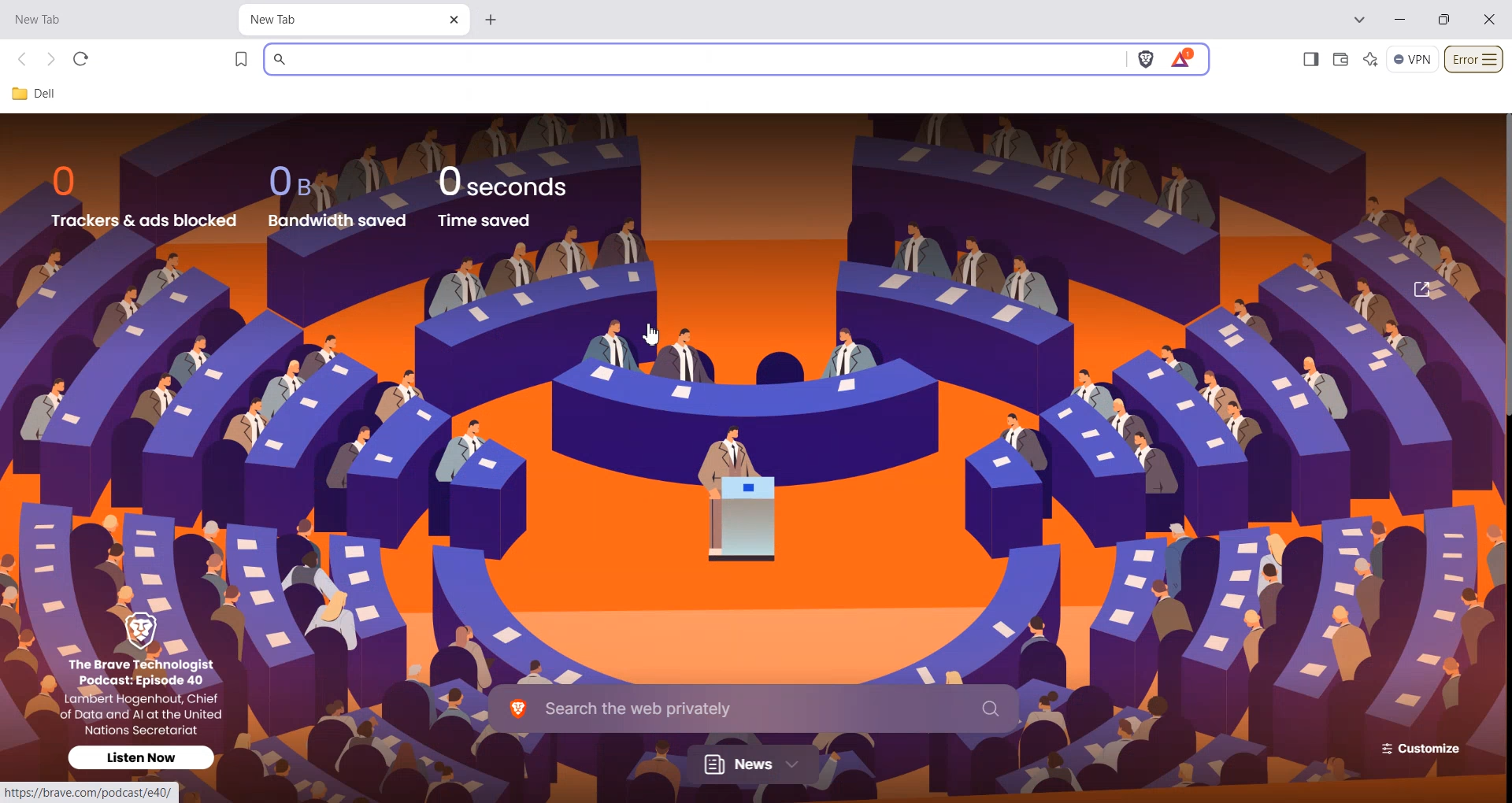 The width and height of the screenshot is (1512, 803). Describe the element at coordinates (144, 220) in the screenshot. I see `Trackers & ads blocked` at that location.